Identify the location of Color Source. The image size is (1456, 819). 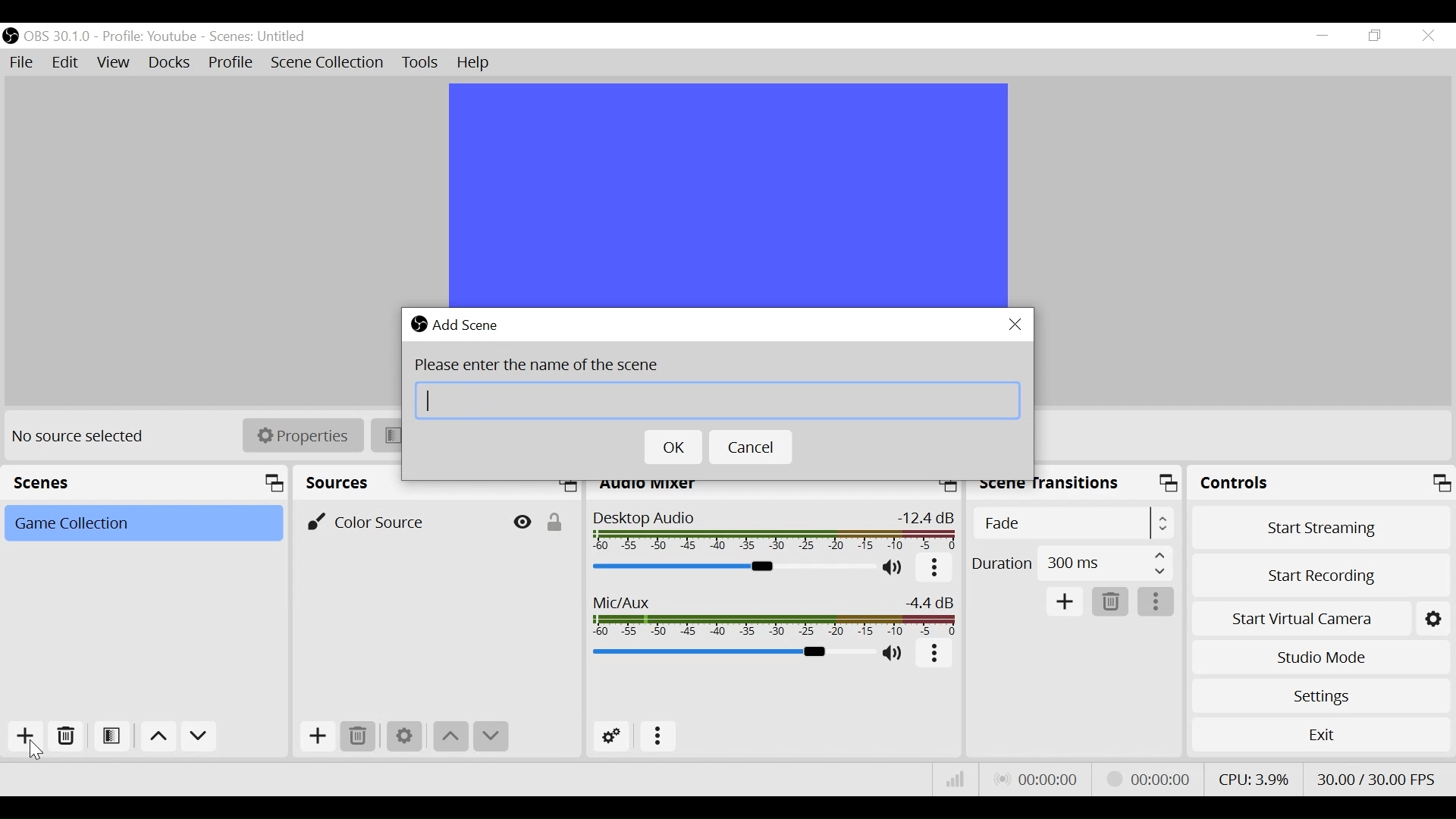
(402, 521).